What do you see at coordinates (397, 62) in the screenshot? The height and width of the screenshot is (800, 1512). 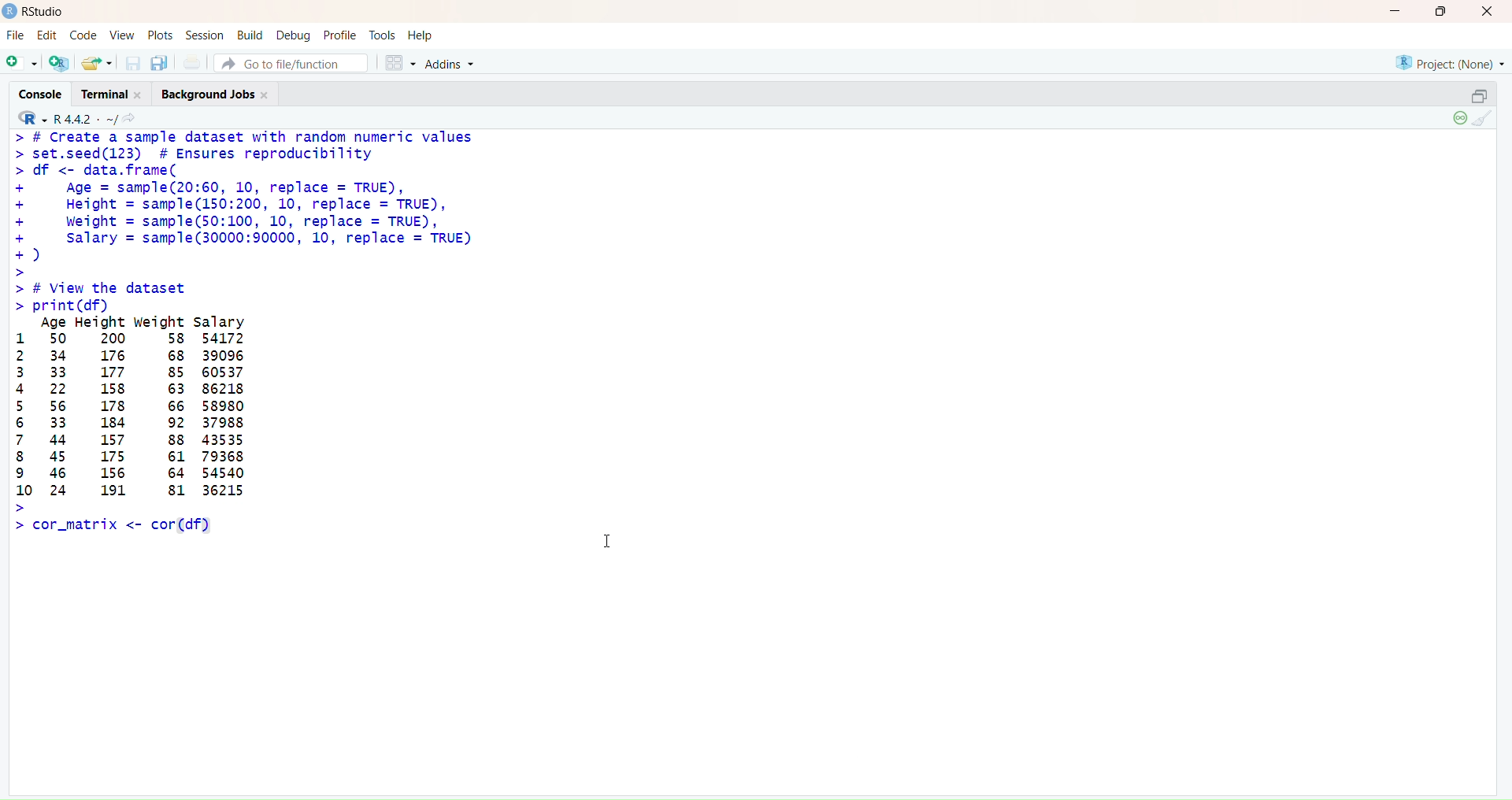 I see `Workspace panes` at bounding box center [397, 62].